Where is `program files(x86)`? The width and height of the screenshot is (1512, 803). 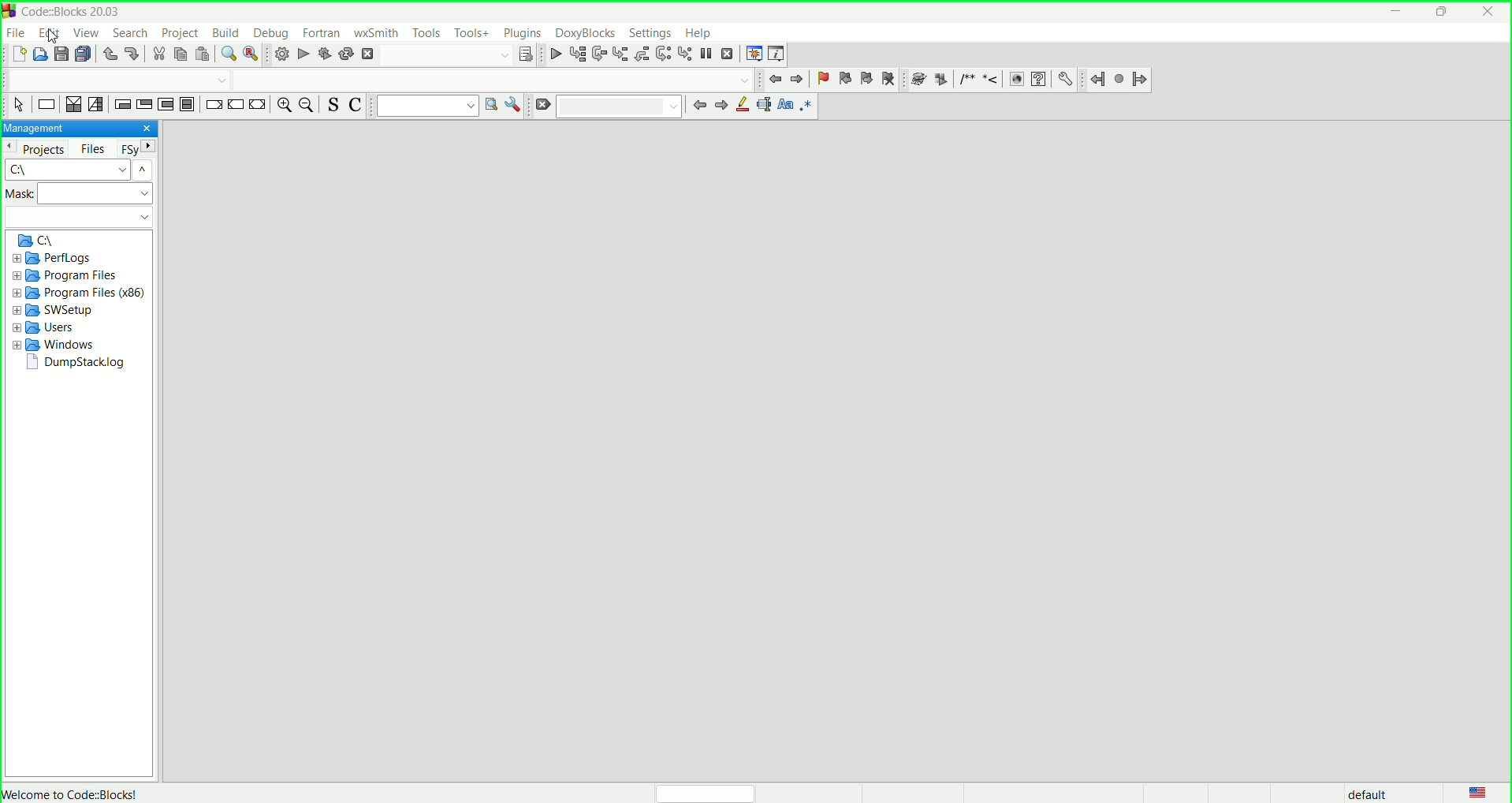
program files(x86) is located at coordinates (80, 293).